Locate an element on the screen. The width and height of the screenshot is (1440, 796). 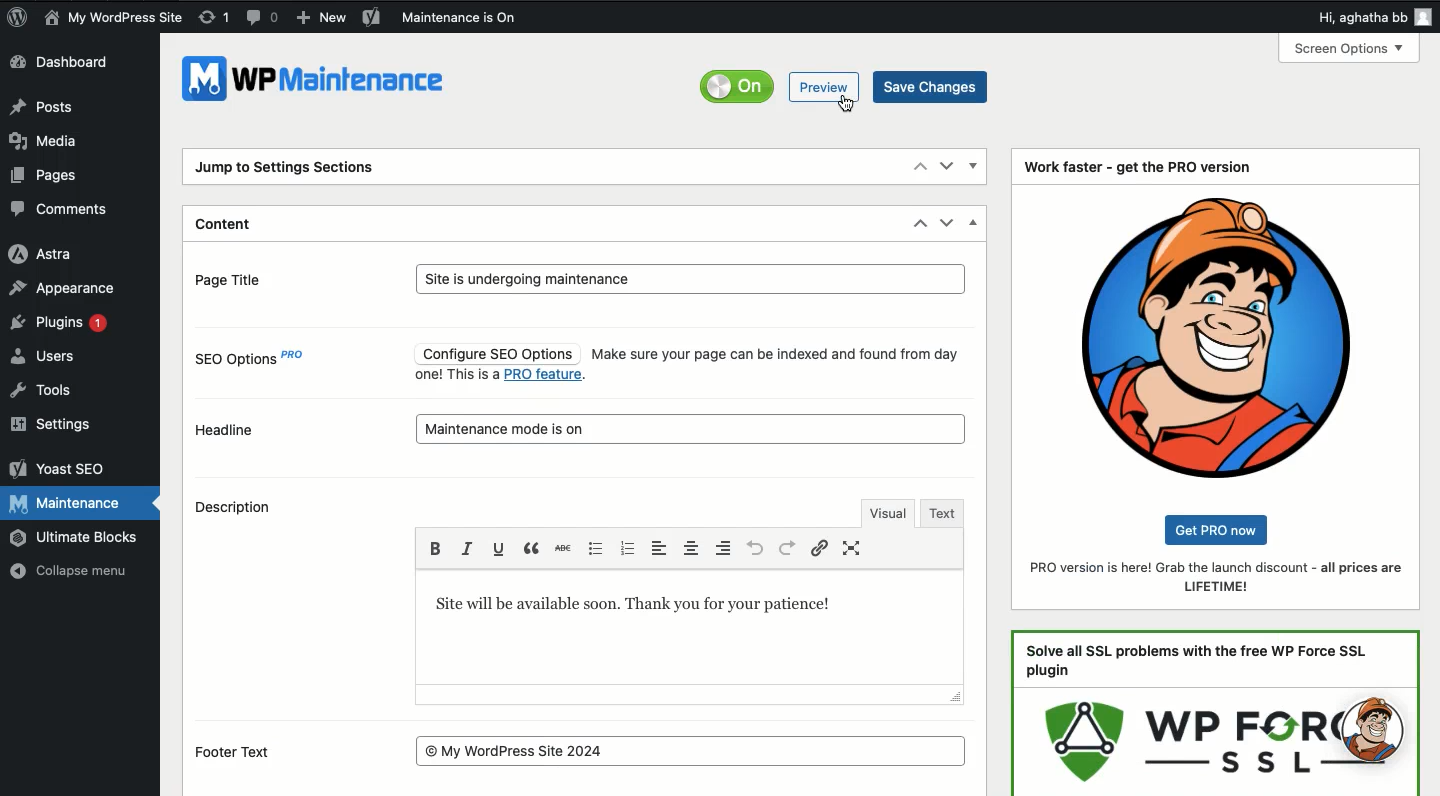
Maintenance is on is located at coordinates (467, 17).